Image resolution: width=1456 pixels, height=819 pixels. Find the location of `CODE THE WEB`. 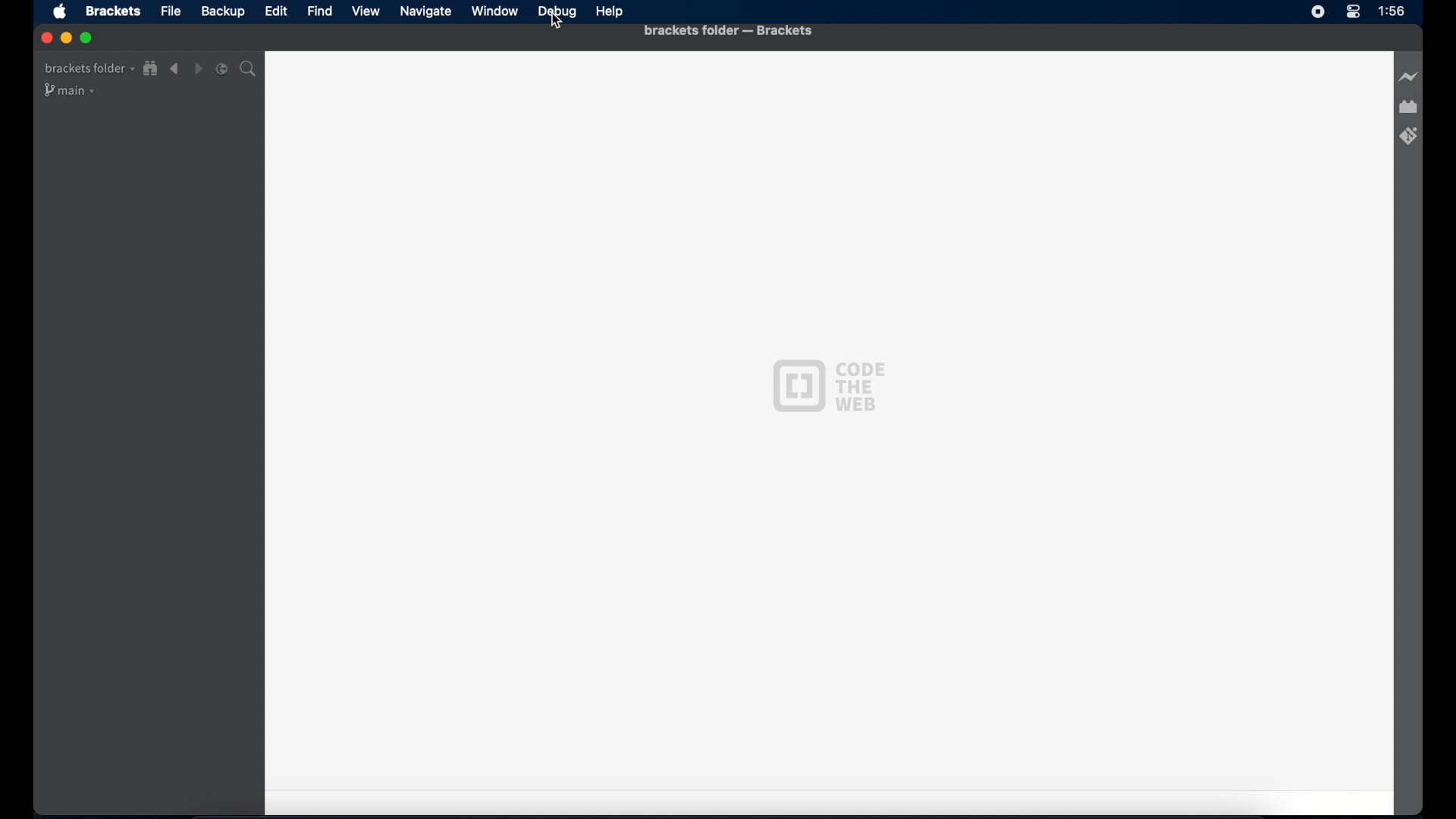

CODE THE WEB is located at coordinates (870, 384).